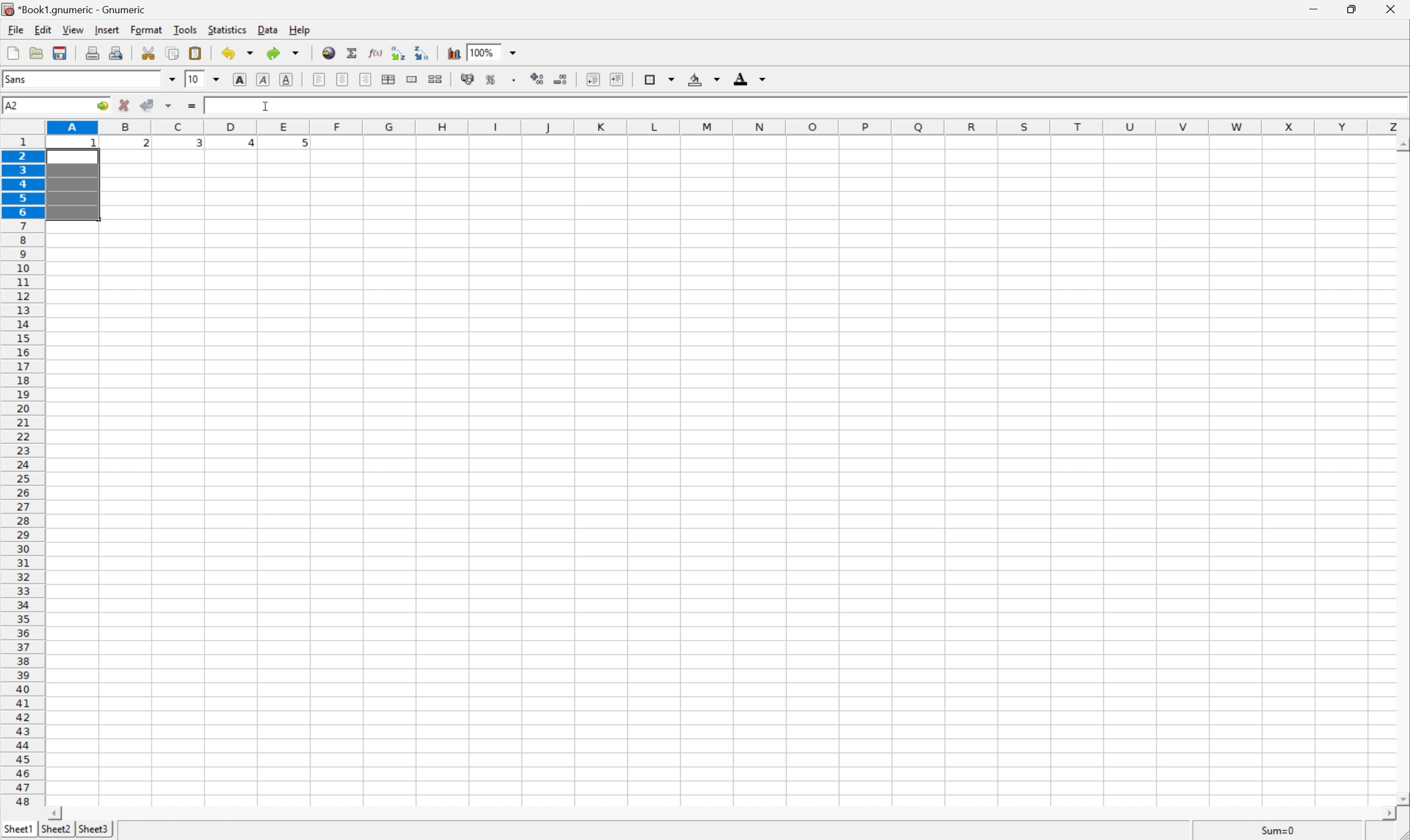 The image size is (1410, 840). I want to click on increase number of decimals displayed, so click(539, 79).